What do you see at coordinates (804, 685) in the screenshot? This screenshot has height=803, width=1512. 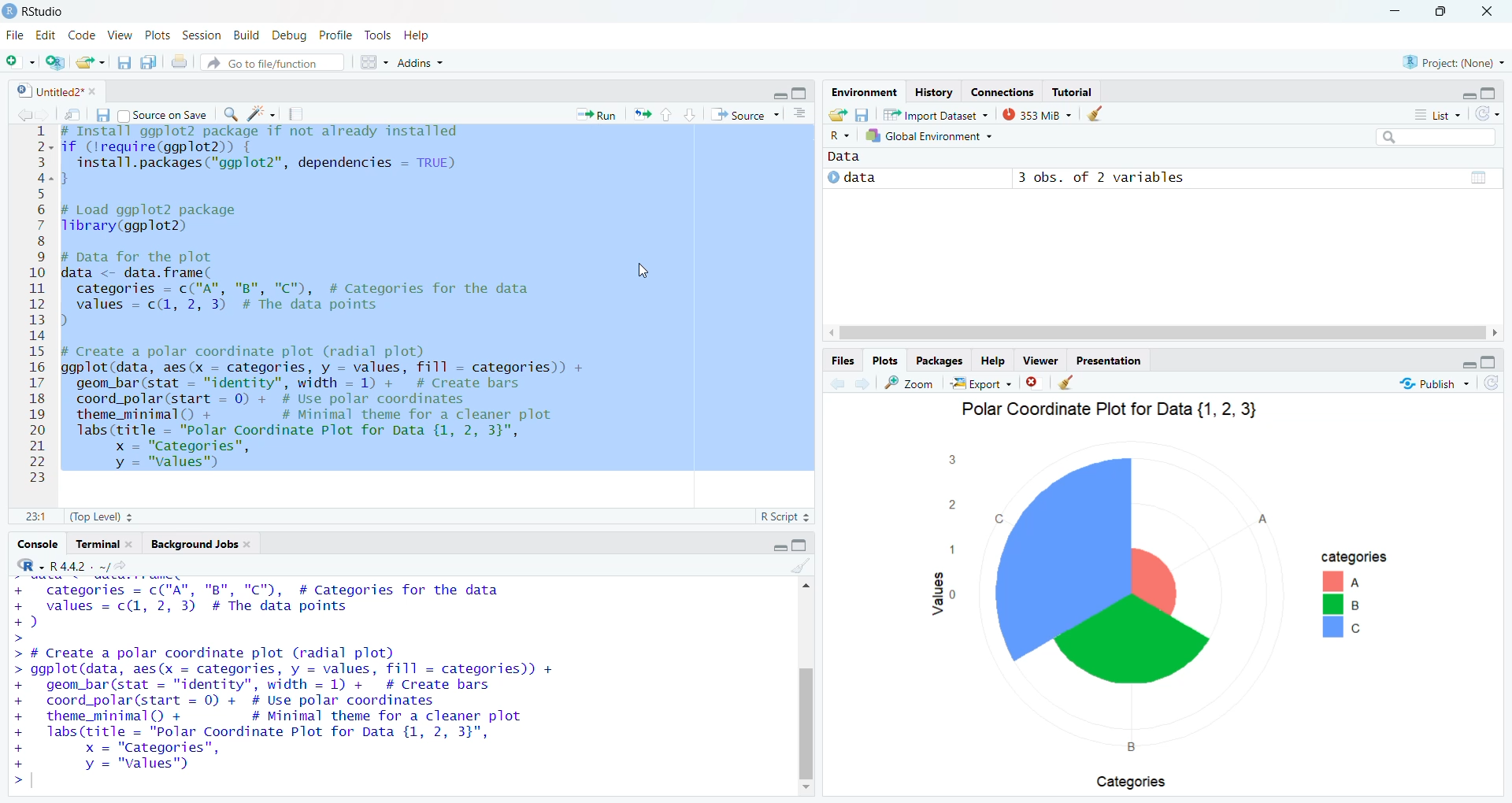 I see `vertical scroll bar` at bounding box center [804, 685].